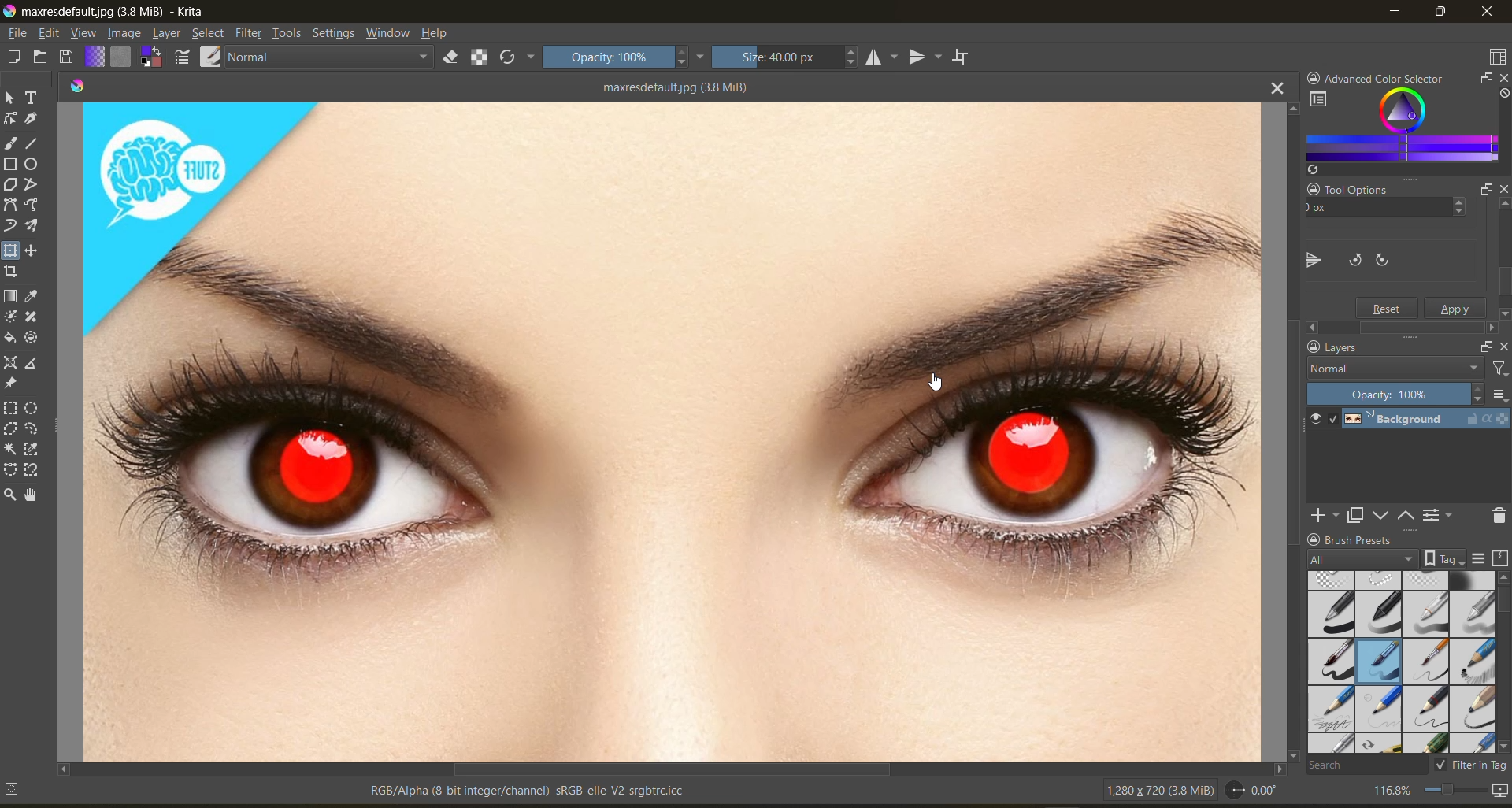  I want to click on image, so click(126, 33).